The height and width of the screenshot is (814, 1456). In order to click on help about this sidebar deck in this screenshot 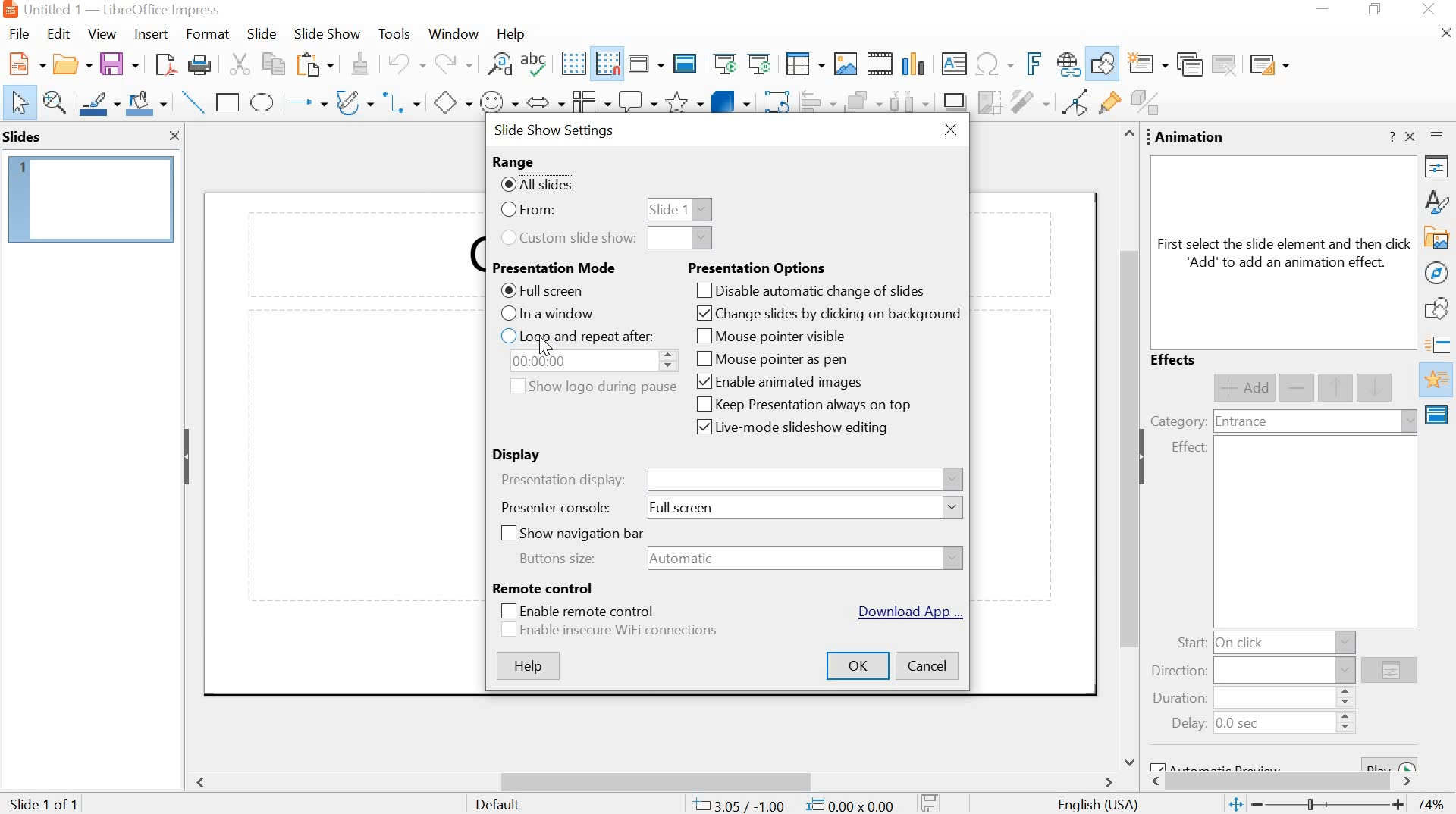, I will do `click(1391, 136)`.